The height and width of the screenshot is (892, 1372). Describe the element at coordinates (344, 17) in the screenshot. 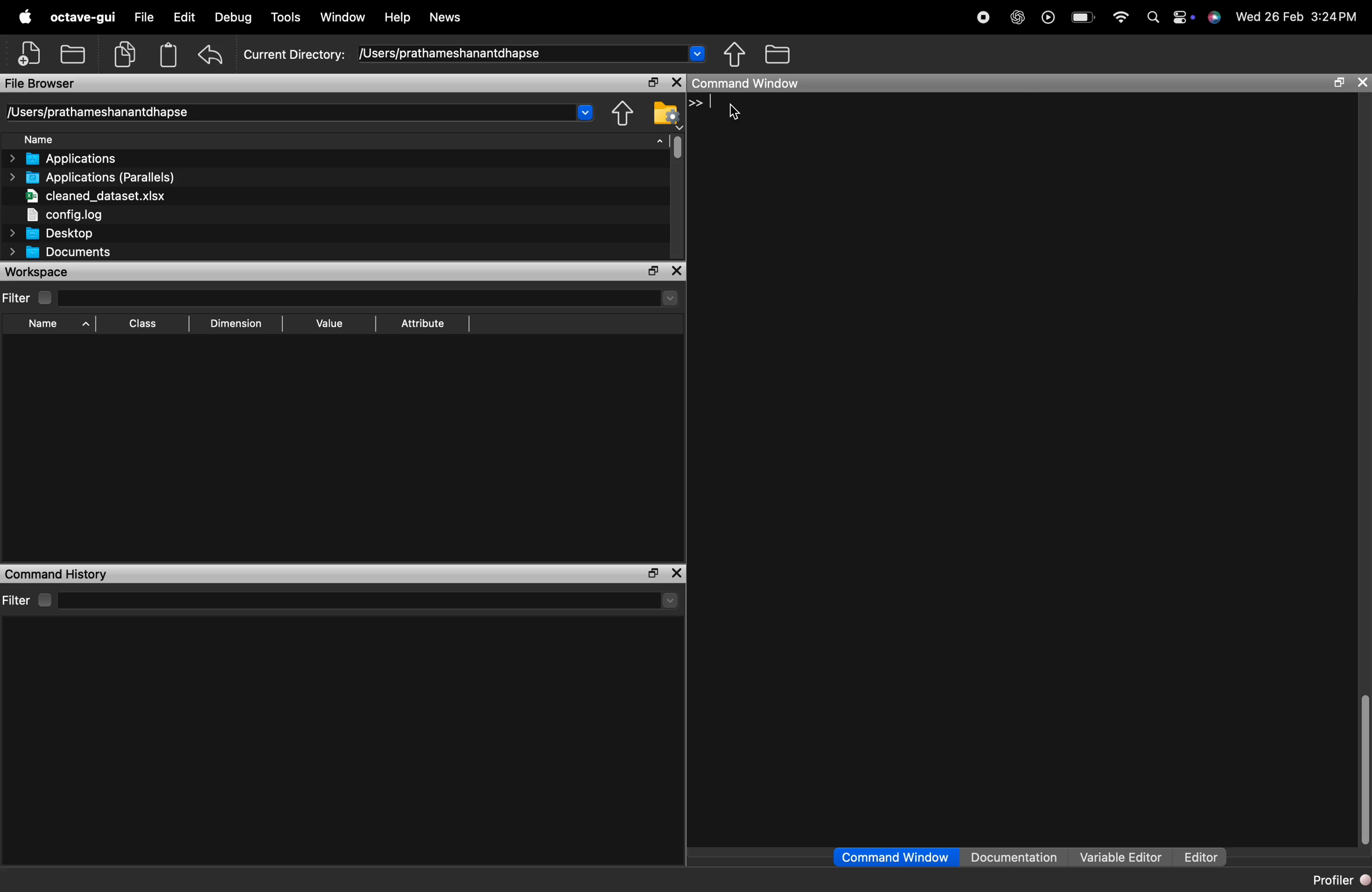

I see `Window` at that location.